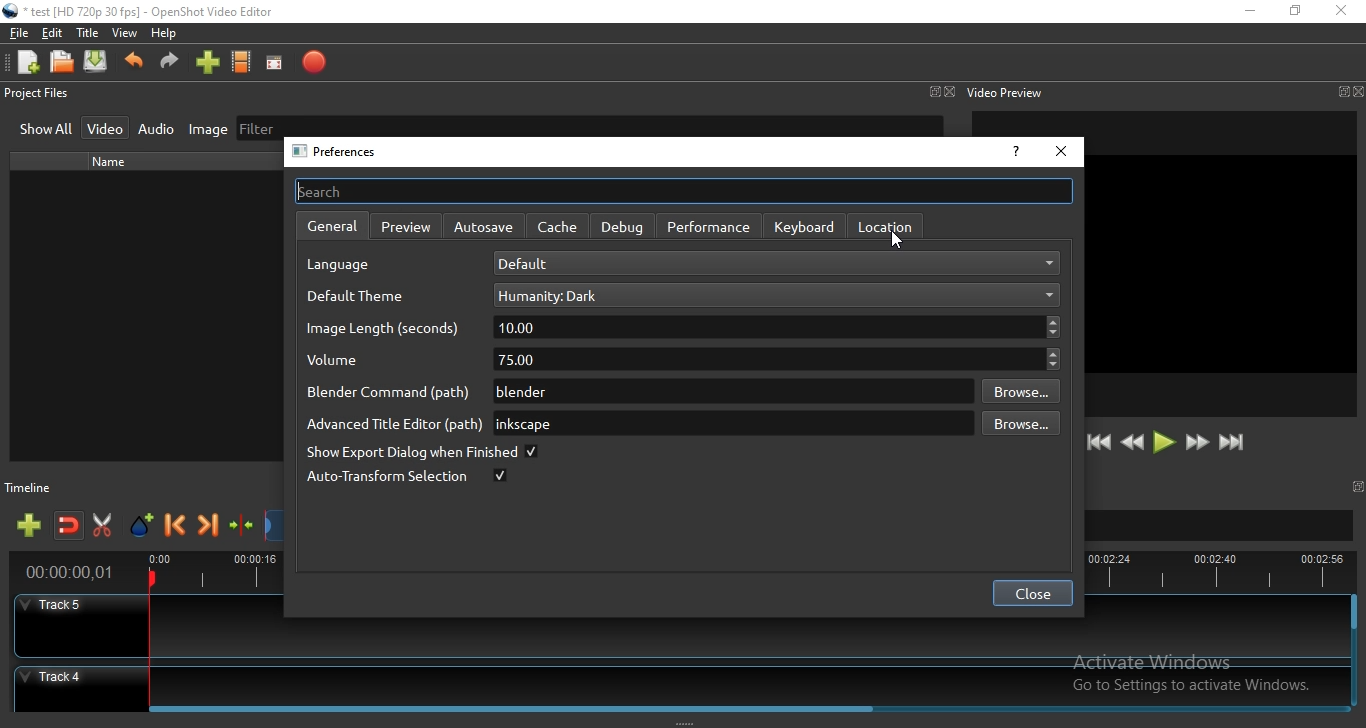  Describe the element at coordinates (406, 478) in the screenshot. I see `auto transform selection` at that location.